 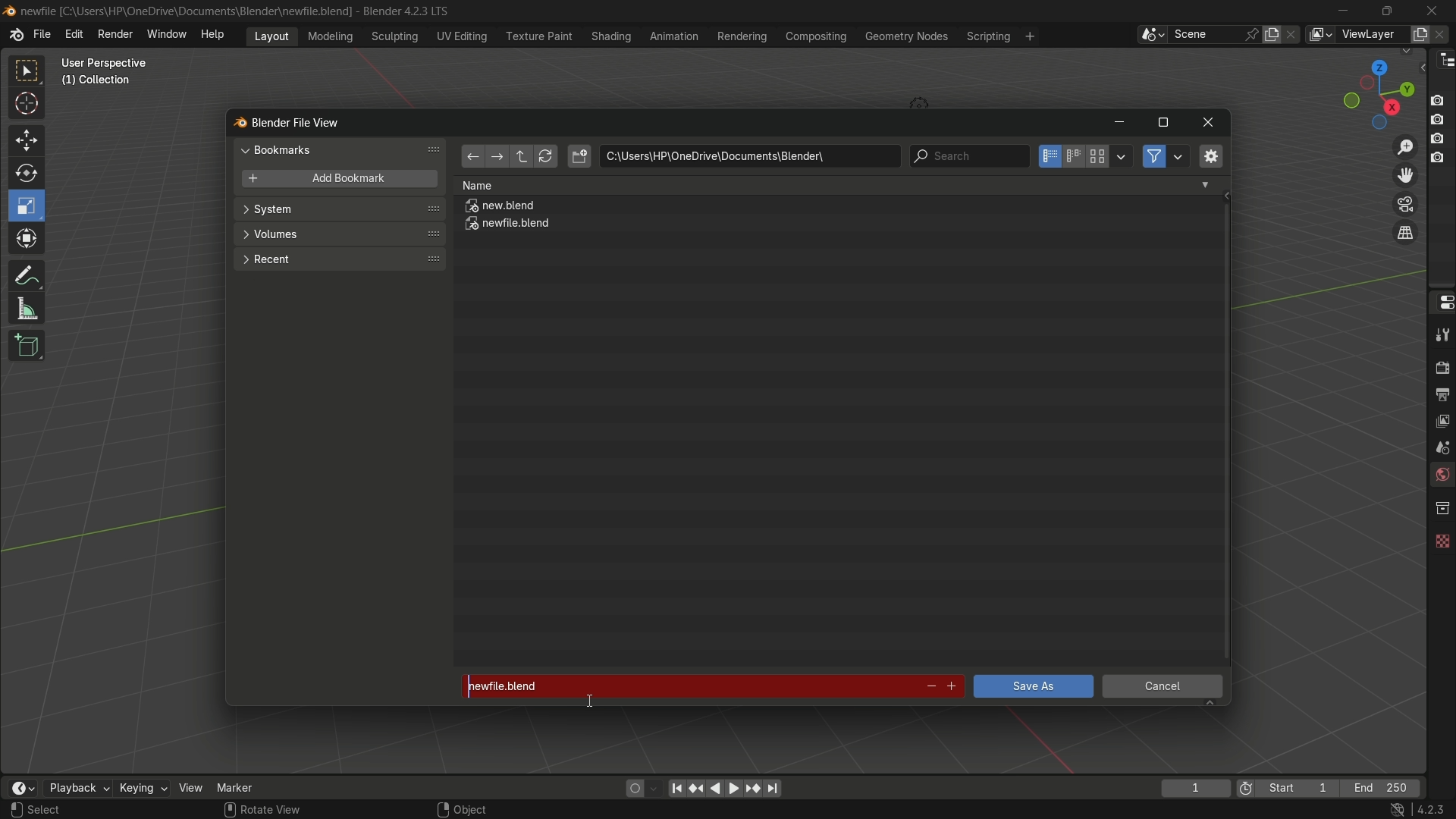 What do you see at coordinates (1441, 419) in the screenshot?
I see `view layer` at bounding box center [1441, 419].